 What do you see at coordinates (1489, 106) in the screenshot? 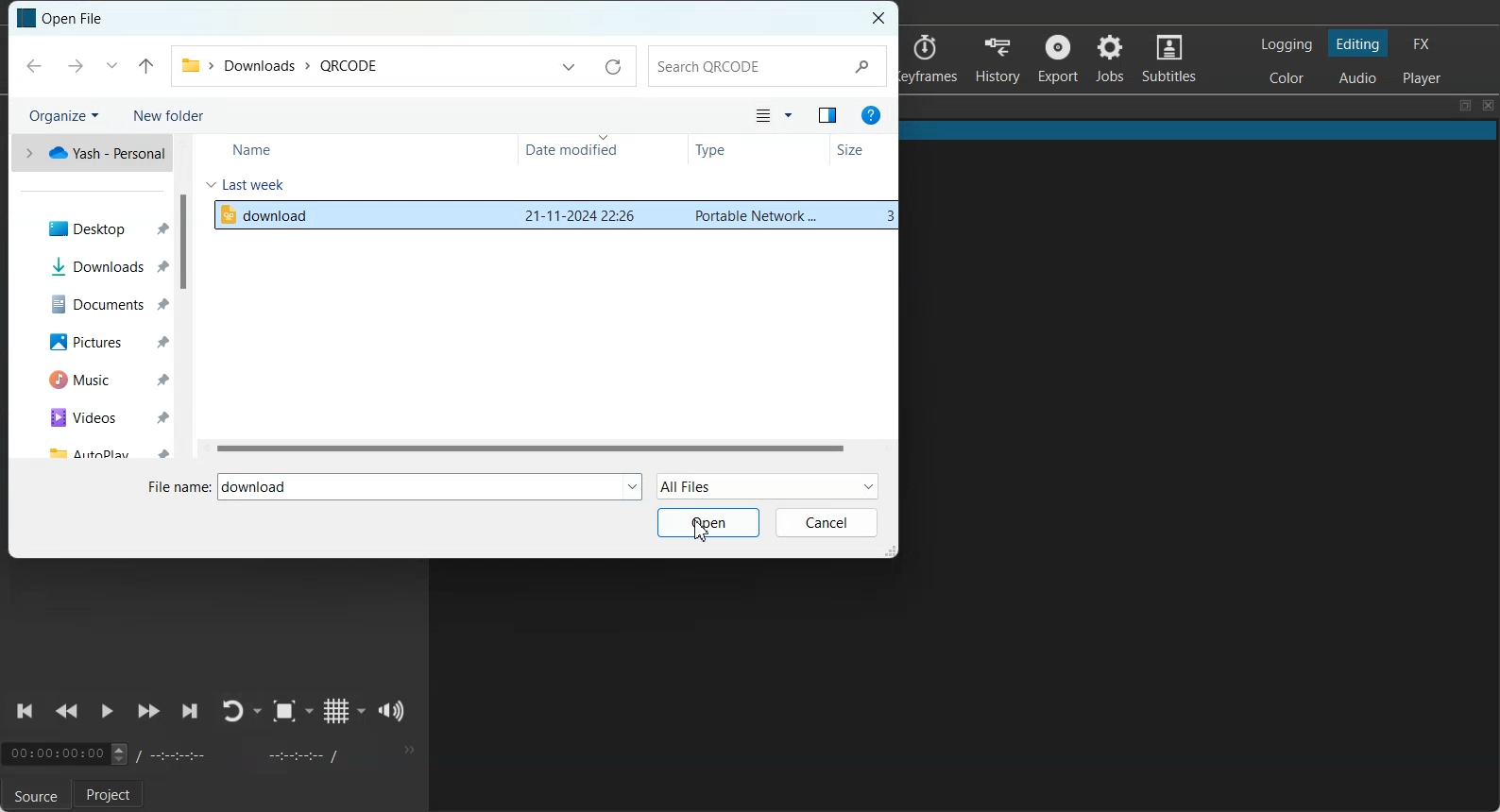
I see `Close` at bounding box center [1489, 106].